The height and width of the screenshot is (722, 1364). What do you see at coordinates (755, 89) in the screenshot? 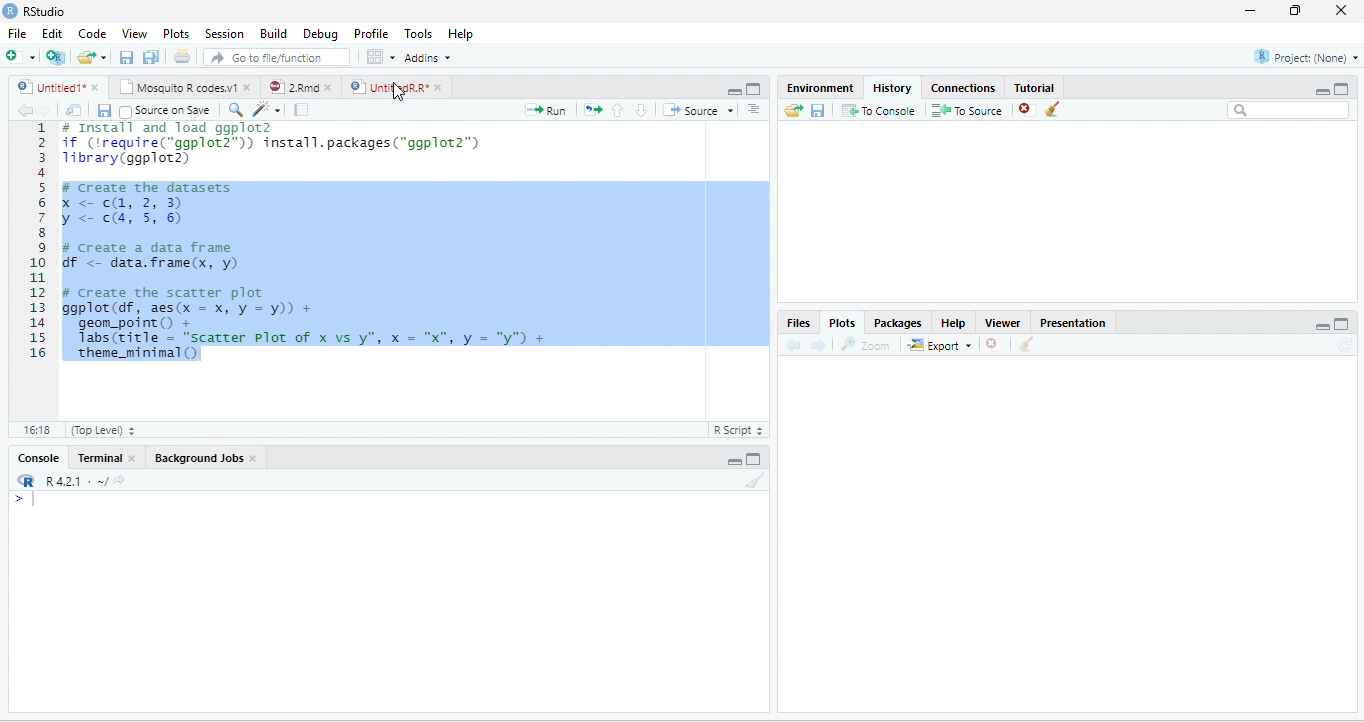
I see `Maximize` at bounding box center [755, 89].